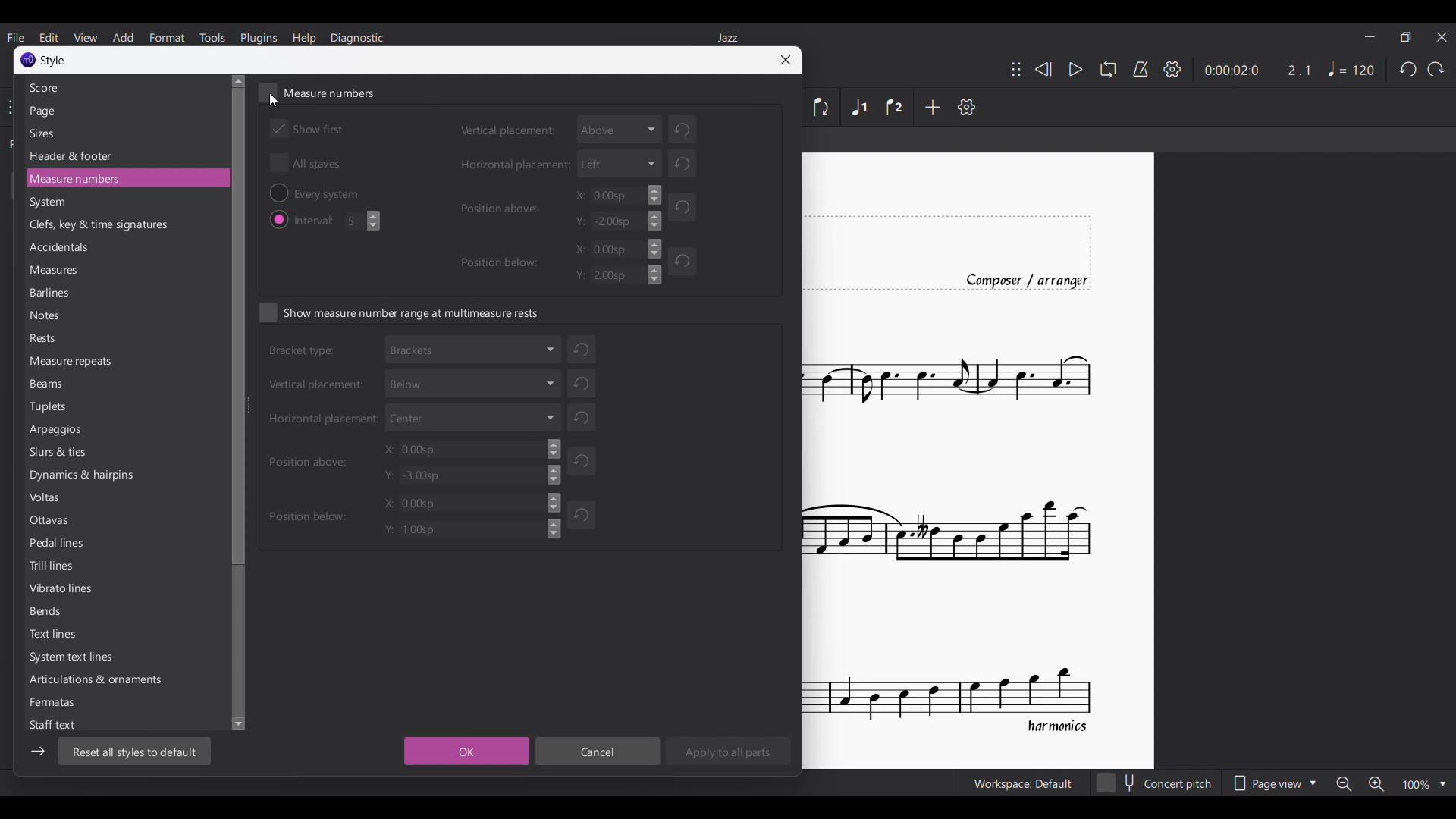 The image size is (1456, 819). What do you see at coordinates (304, 38) in the screenshot?
I see `Help menu` at bounding box center [304, 38].